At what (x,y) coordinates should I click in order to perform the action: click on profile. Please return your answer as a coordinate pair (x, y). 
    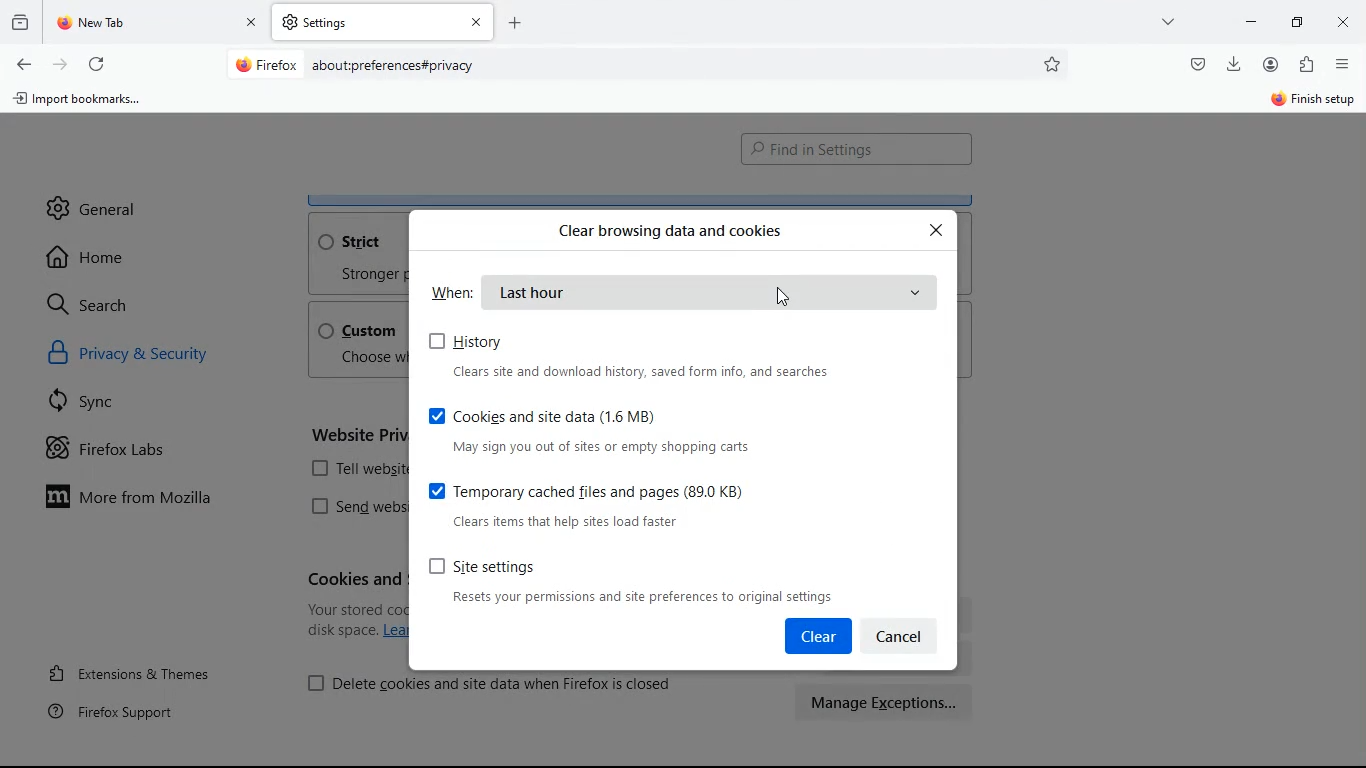
    Looking at the image, I should click on (1275, 64).